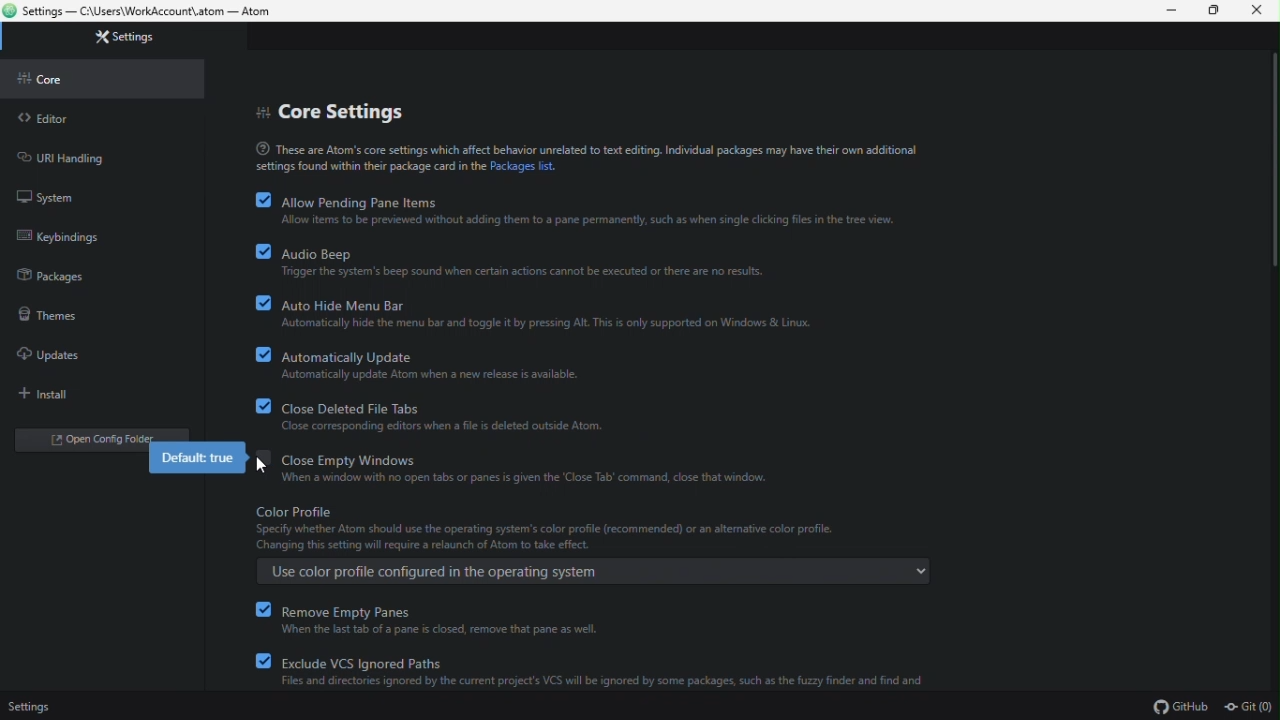 The height and width of the screenshot is (720, 1280). I want to click on Git (0), so click(1248, 707).